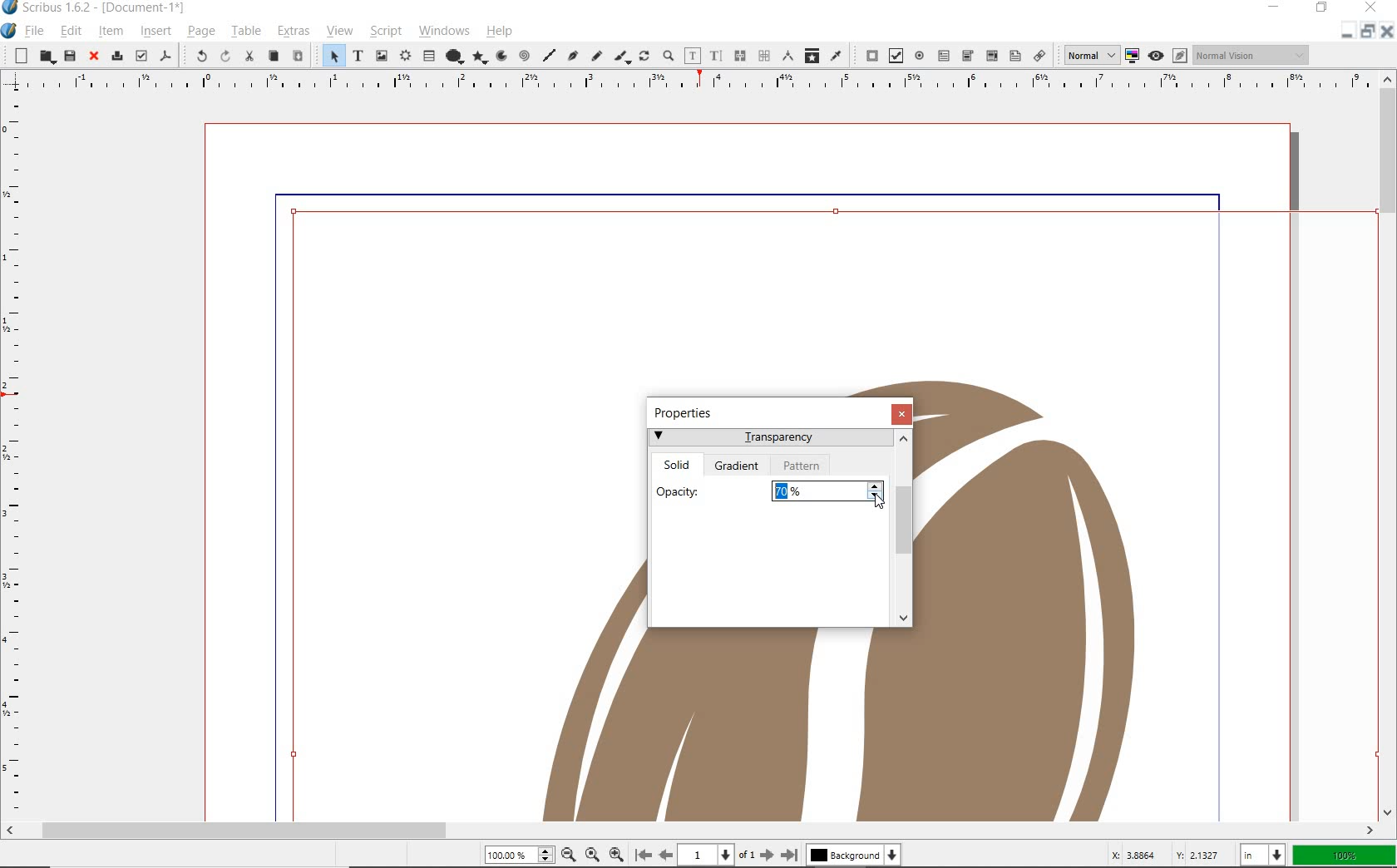  I want to click on pdf push button, so click(866, 55).